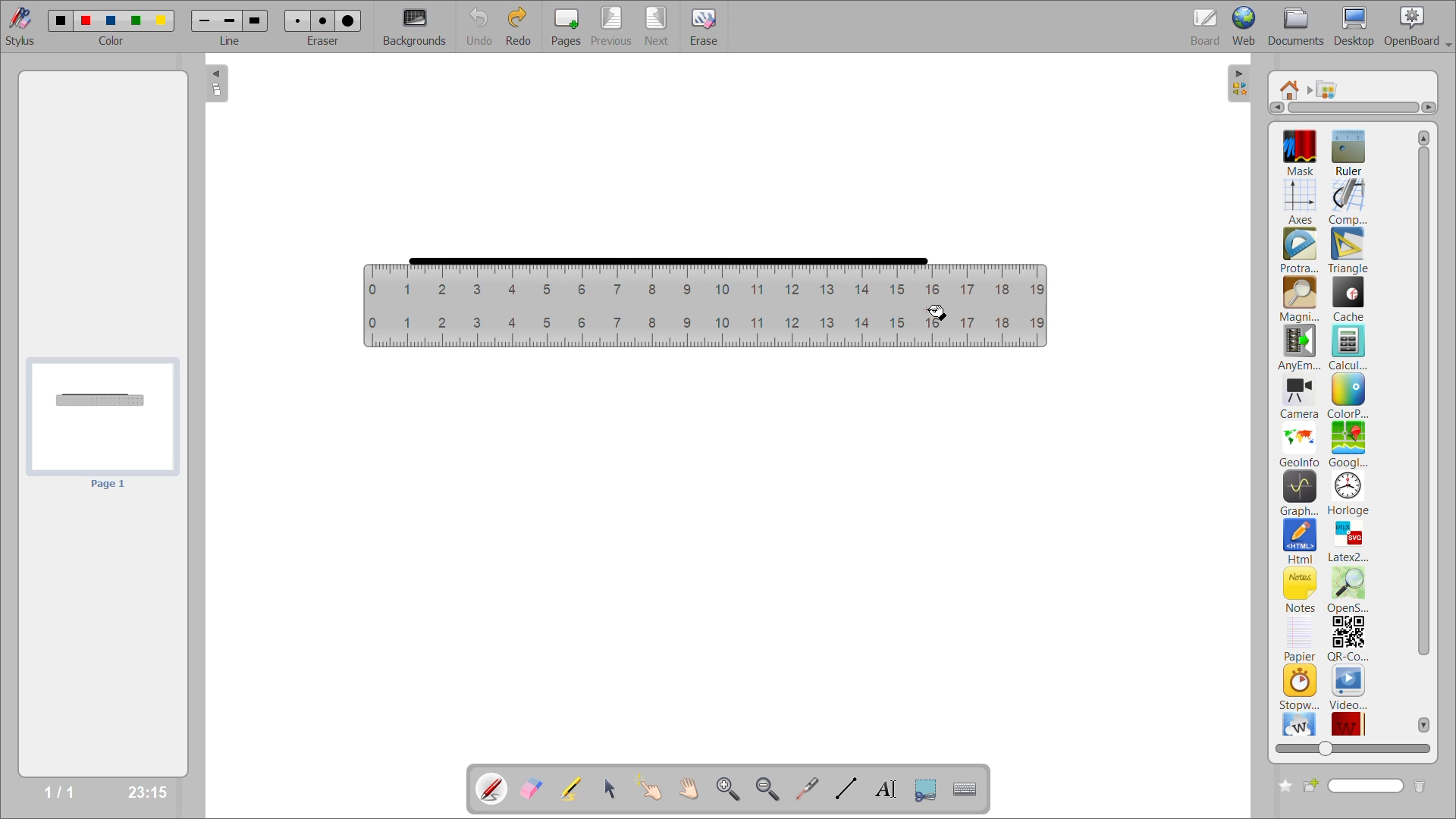  What do you see at coordinates (1350, 746) in the screenshot?
I see `zoom slider` at bounding box center [1350, 746].